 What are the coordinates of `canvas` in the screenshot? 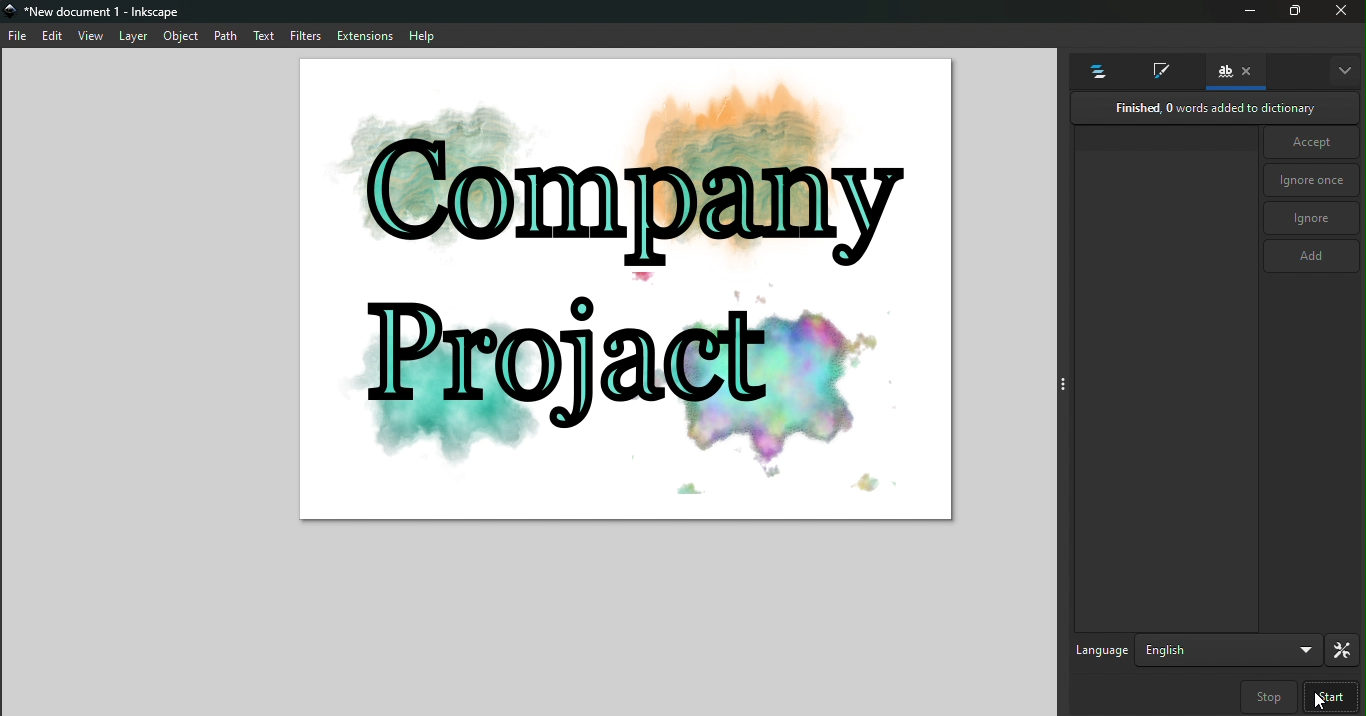 It's located at (634, 298).